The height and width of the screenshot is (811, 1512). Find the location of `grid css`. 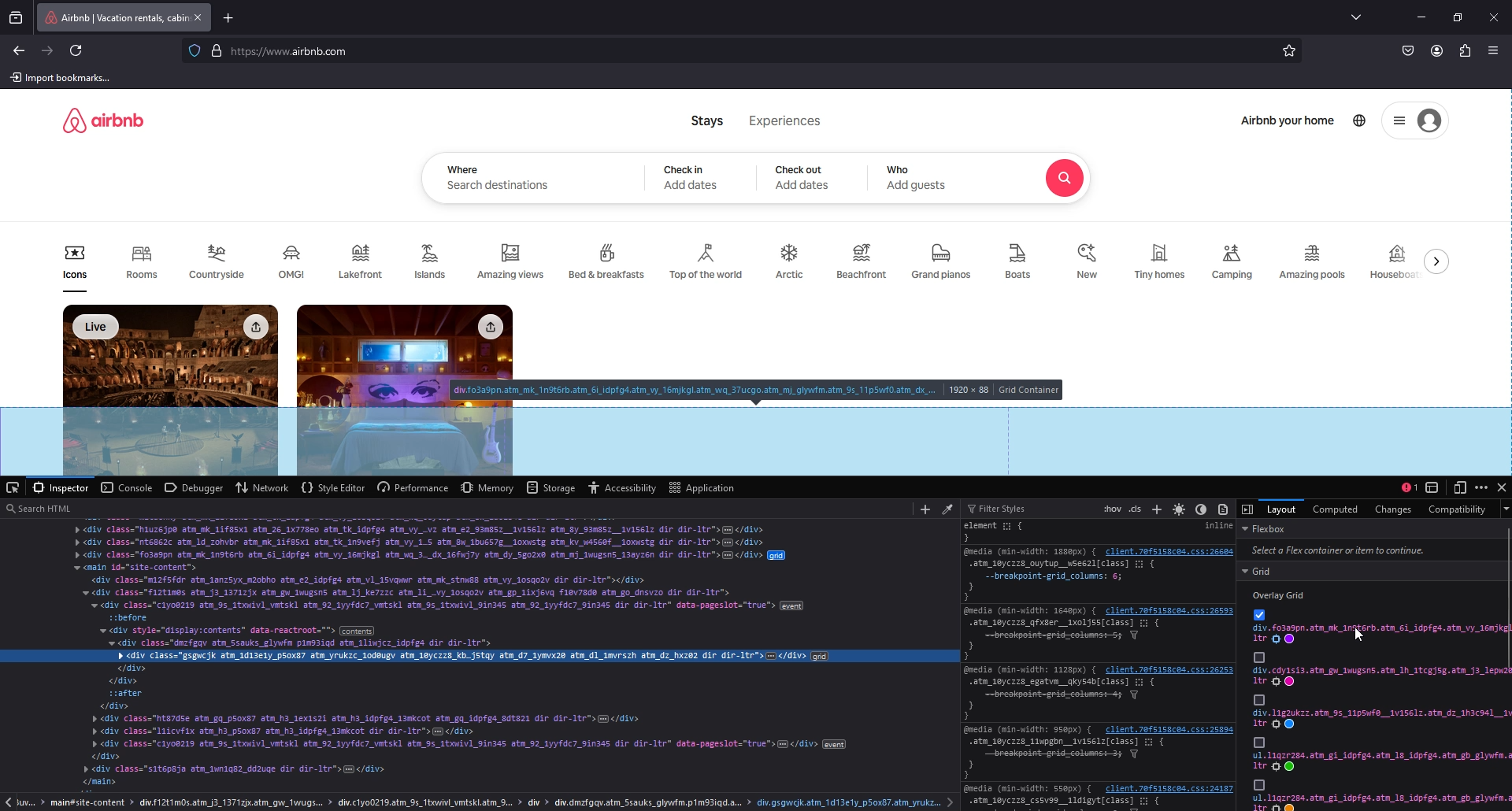

grid css is located at coordinates (1380, 635).